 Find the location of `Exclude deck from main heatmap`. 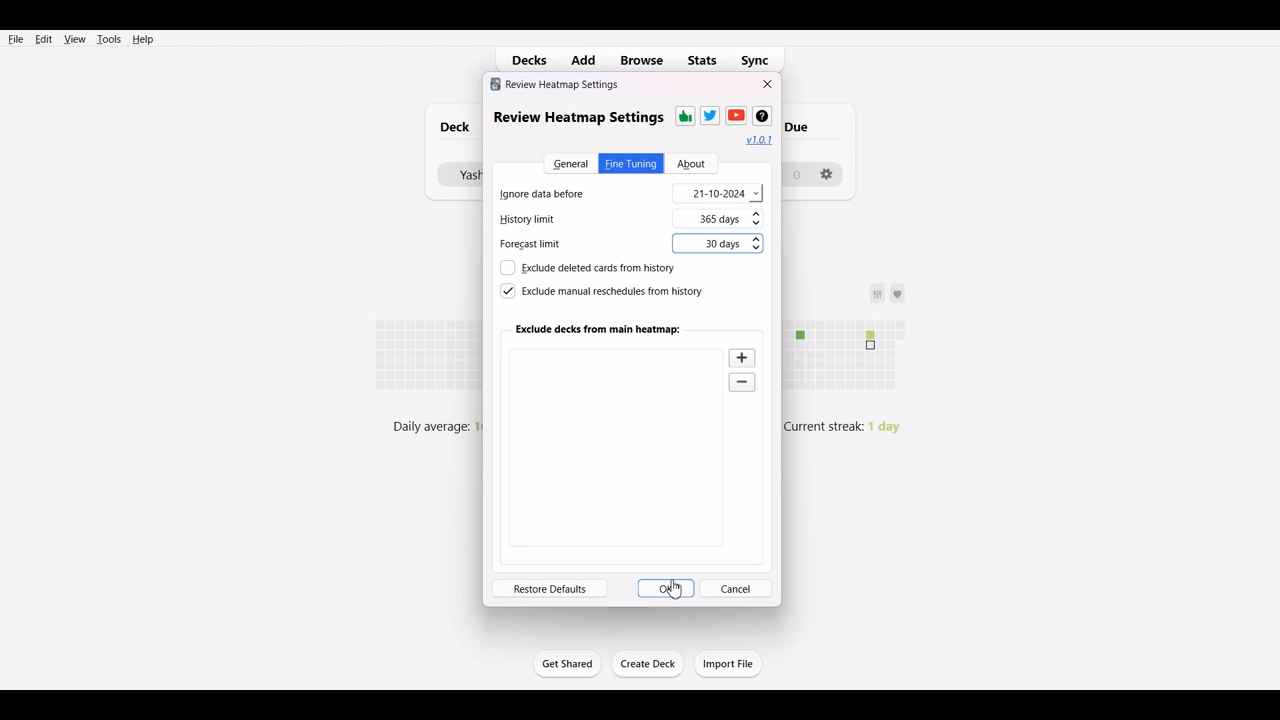

Exclude deck from main heatmap is located at coordinates (599, 329).